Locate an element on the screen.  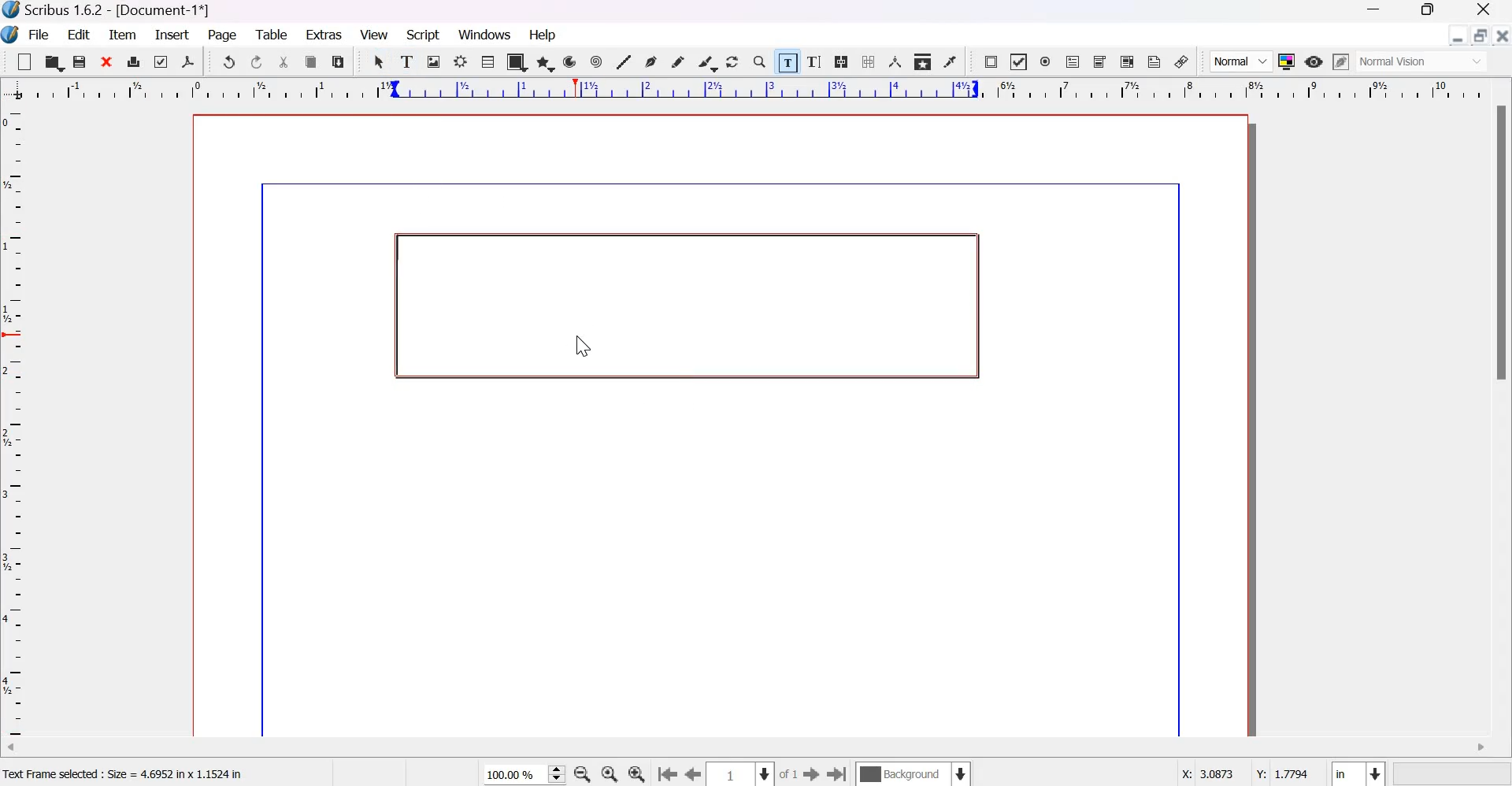
Go to the last page is located at coordinates (838, 773).